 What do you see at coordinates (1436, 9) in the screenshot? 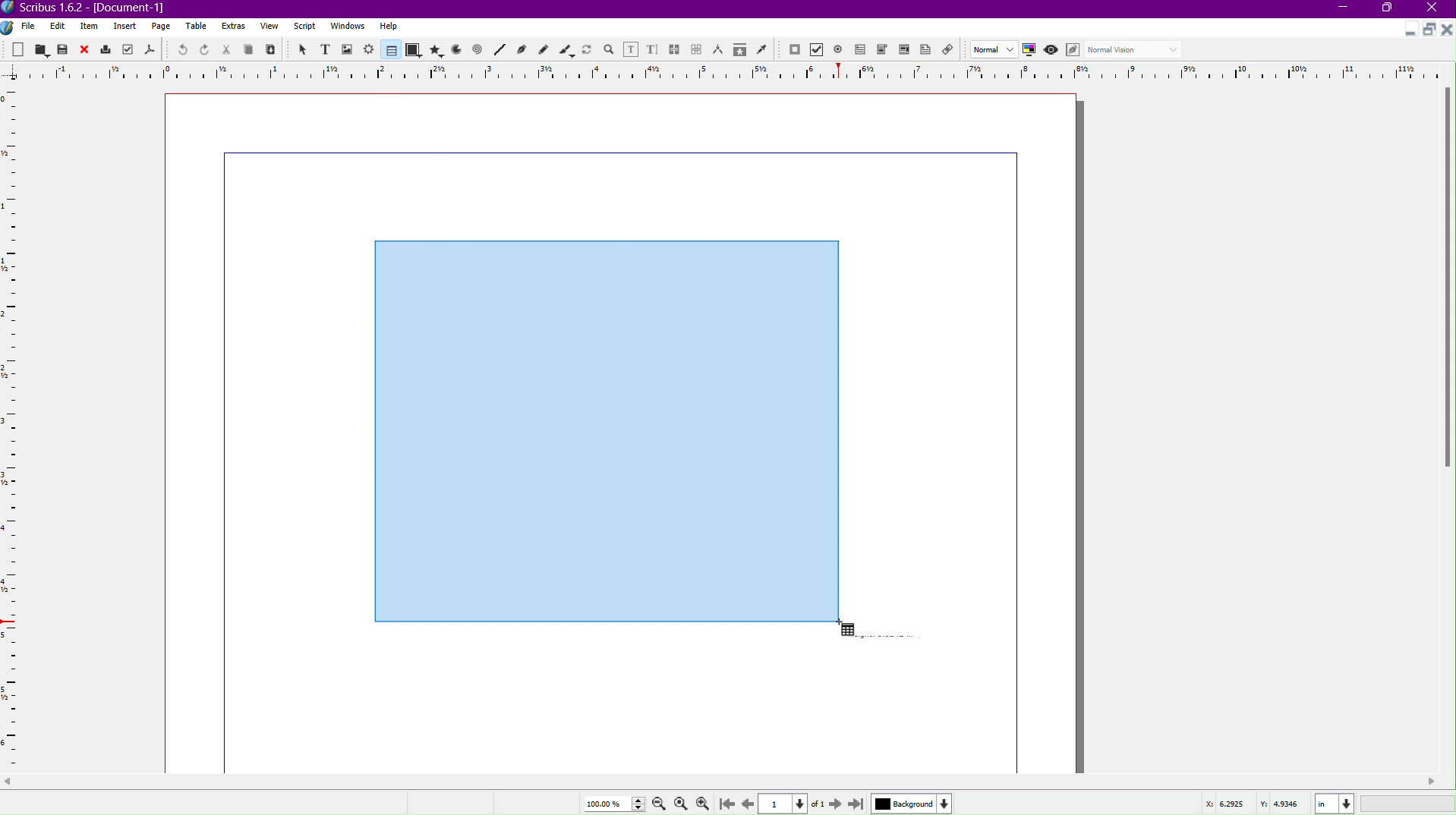
I see `Close` at bounding box center [1436, 9].